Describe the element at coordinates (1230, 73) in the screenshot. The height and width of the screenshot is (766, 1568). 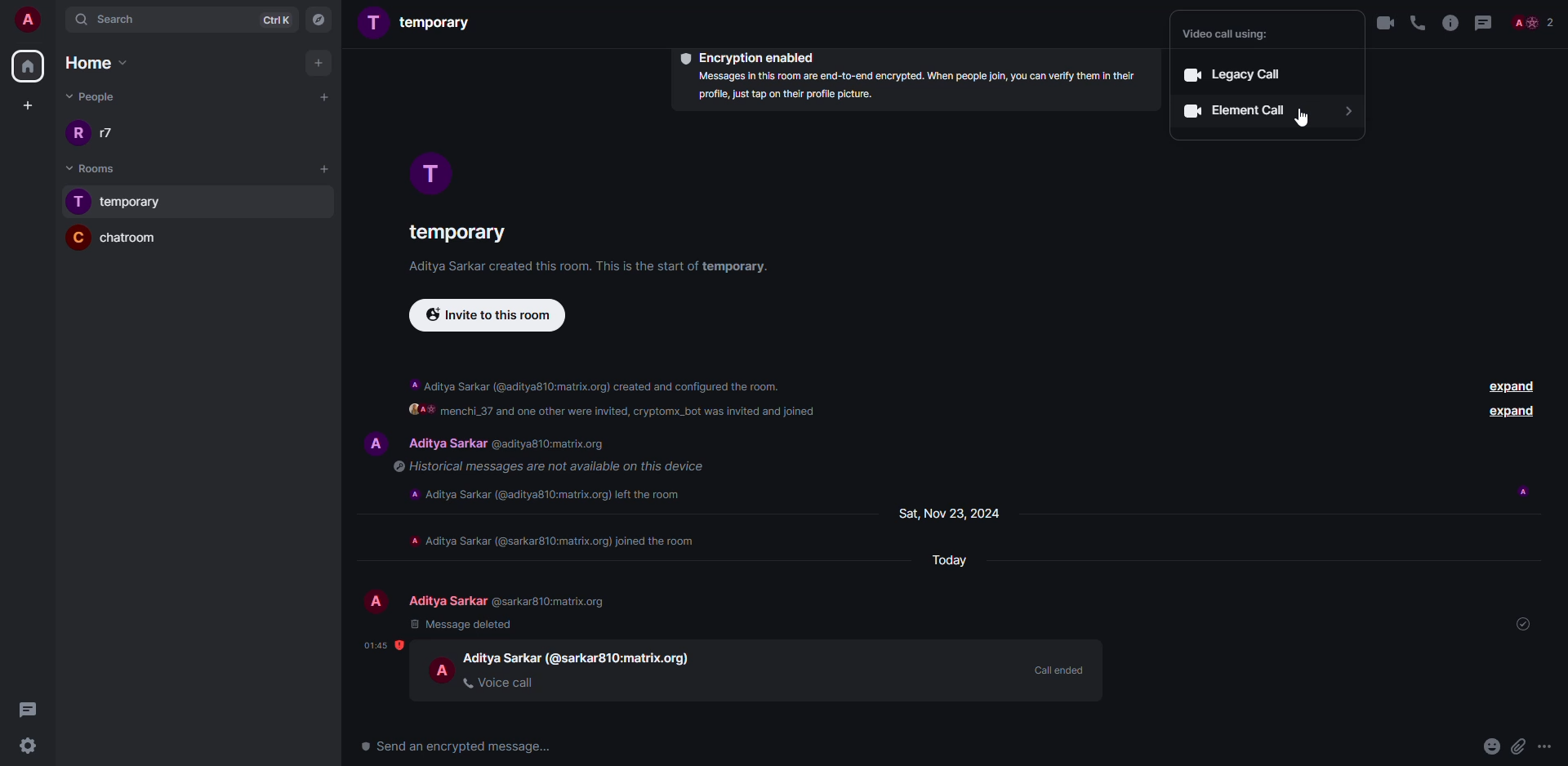
I see `legacy call` at that location.